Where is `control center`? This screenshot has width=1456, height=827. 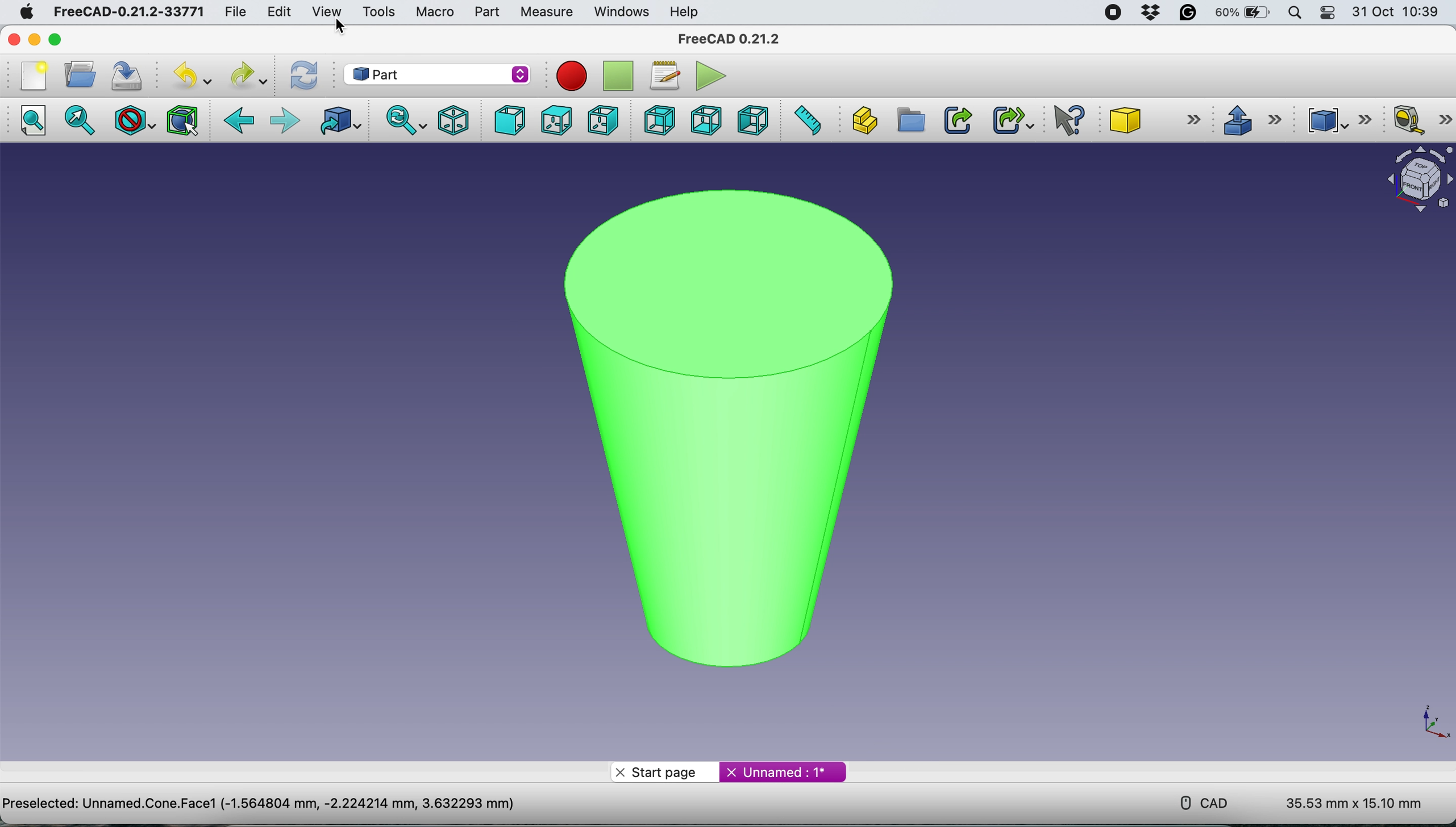
control center is located at coordinates (1329, 14).